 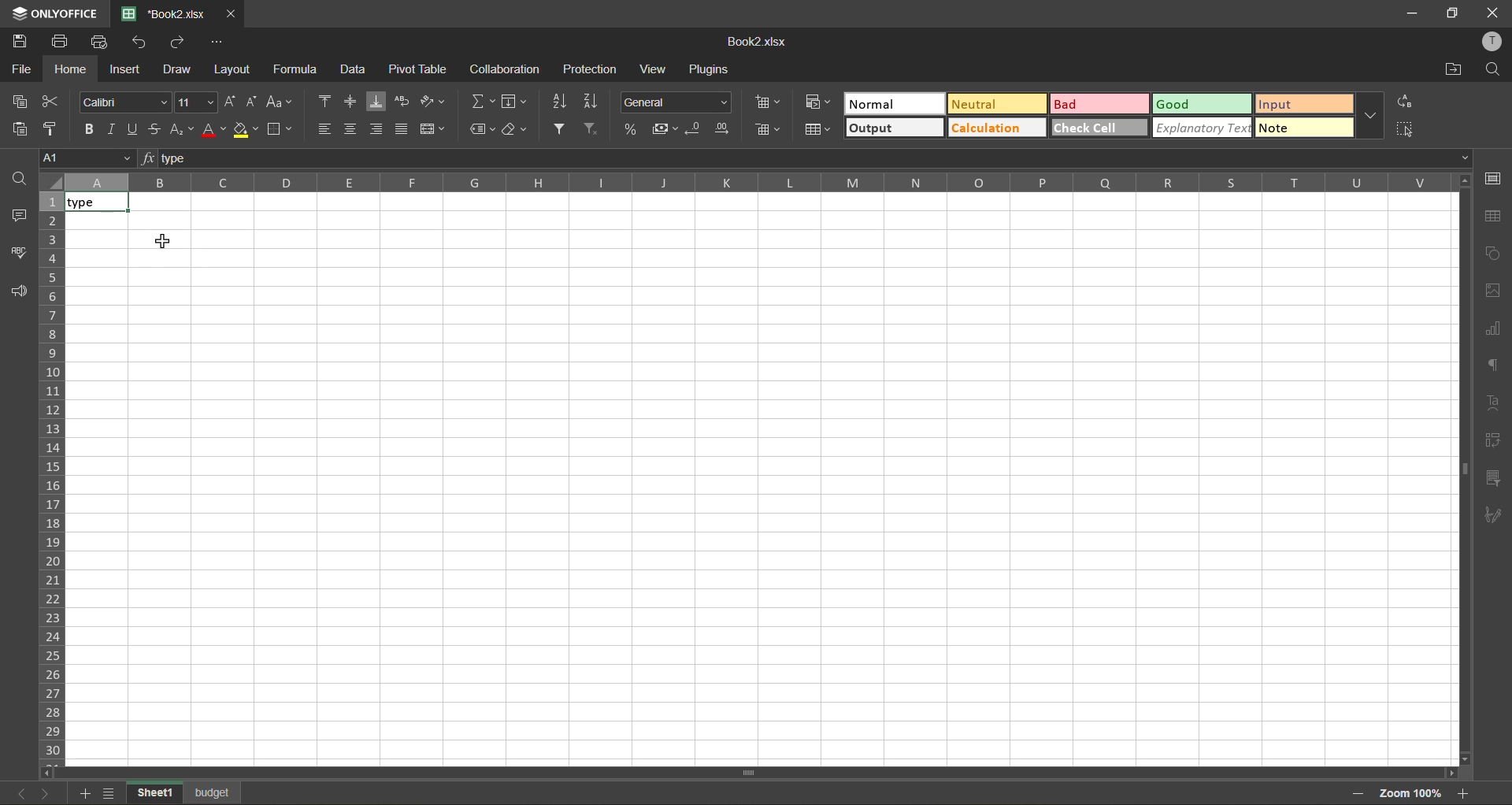 What do you see at coordinates (1494, 251) in the screenshot?
I see `shapes` at bounding box center [1494, 251].